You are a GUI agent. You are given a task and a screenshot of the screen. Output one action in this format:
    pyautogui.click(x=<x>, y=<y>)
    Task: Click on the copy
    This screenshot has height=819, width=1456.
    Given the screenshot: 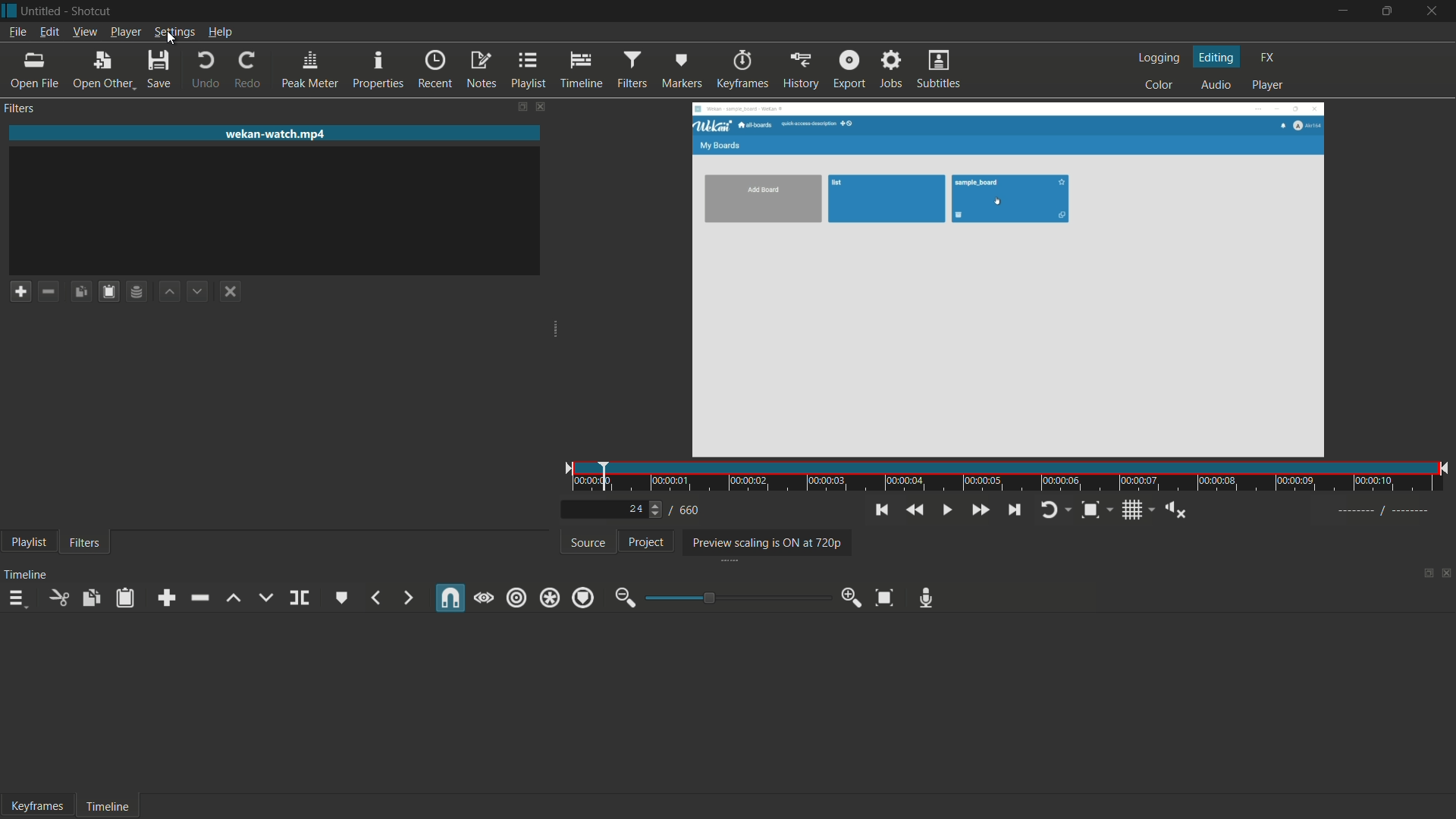 What is the action you would take?
    pyautogui.click(x=93, y=597)
    